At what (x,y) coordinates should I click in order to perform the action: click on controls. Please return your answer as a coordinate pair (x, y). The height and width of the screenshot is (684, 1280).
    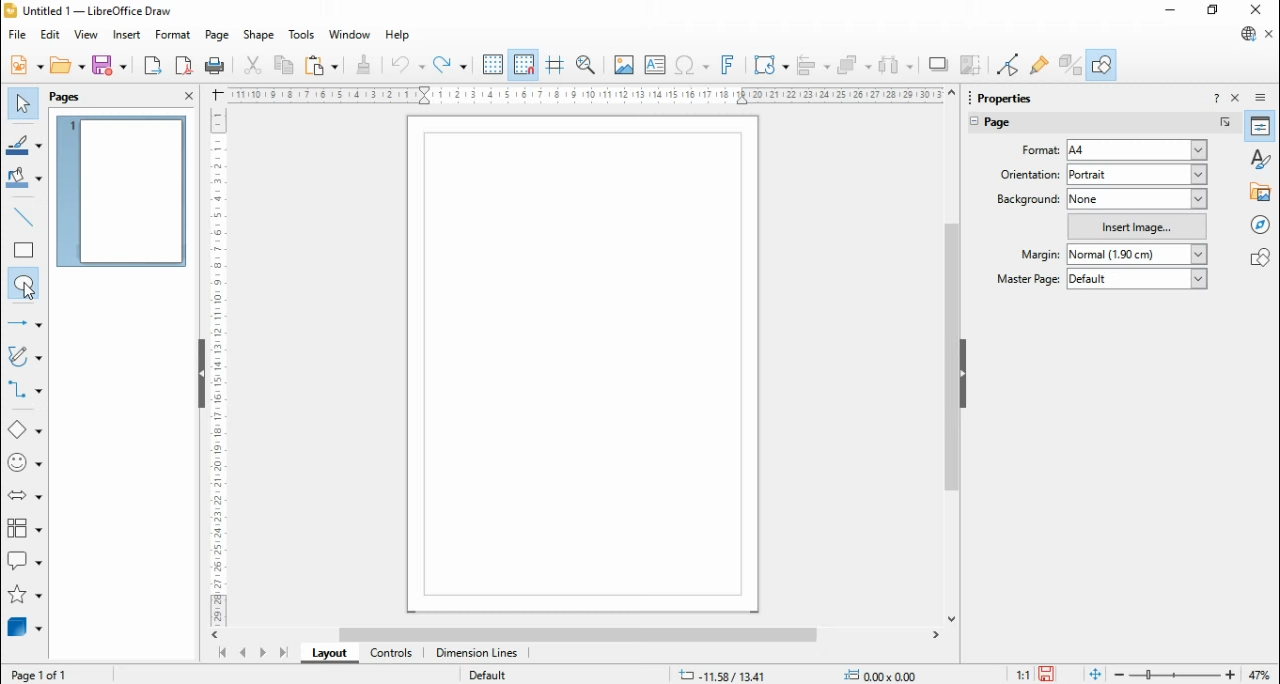
    Looking at the image, I should click on (390, 654).